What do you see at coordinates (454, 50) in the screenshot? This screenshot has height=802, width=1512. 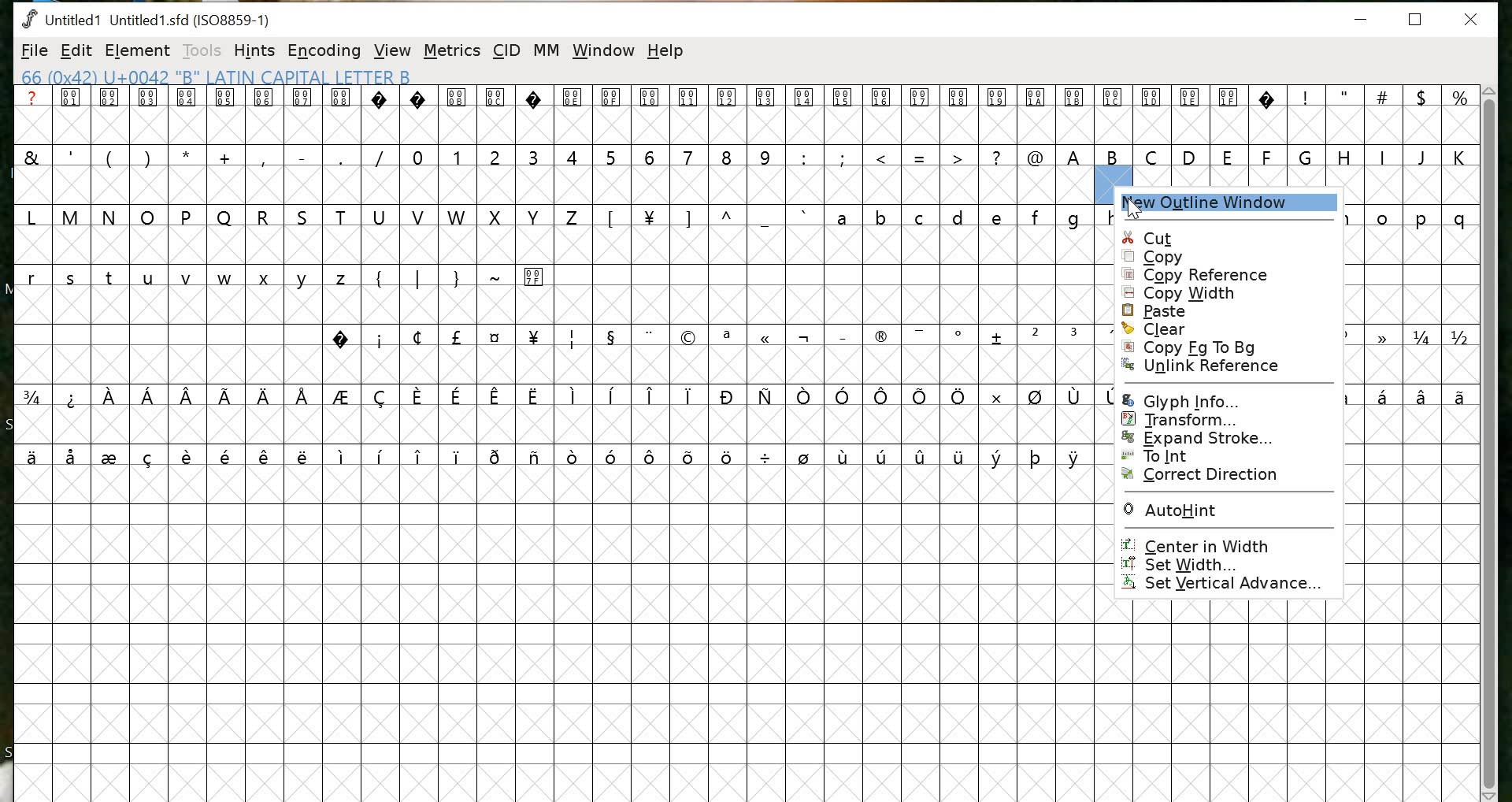 I see `METRICS` at bounding box center [454, 50].